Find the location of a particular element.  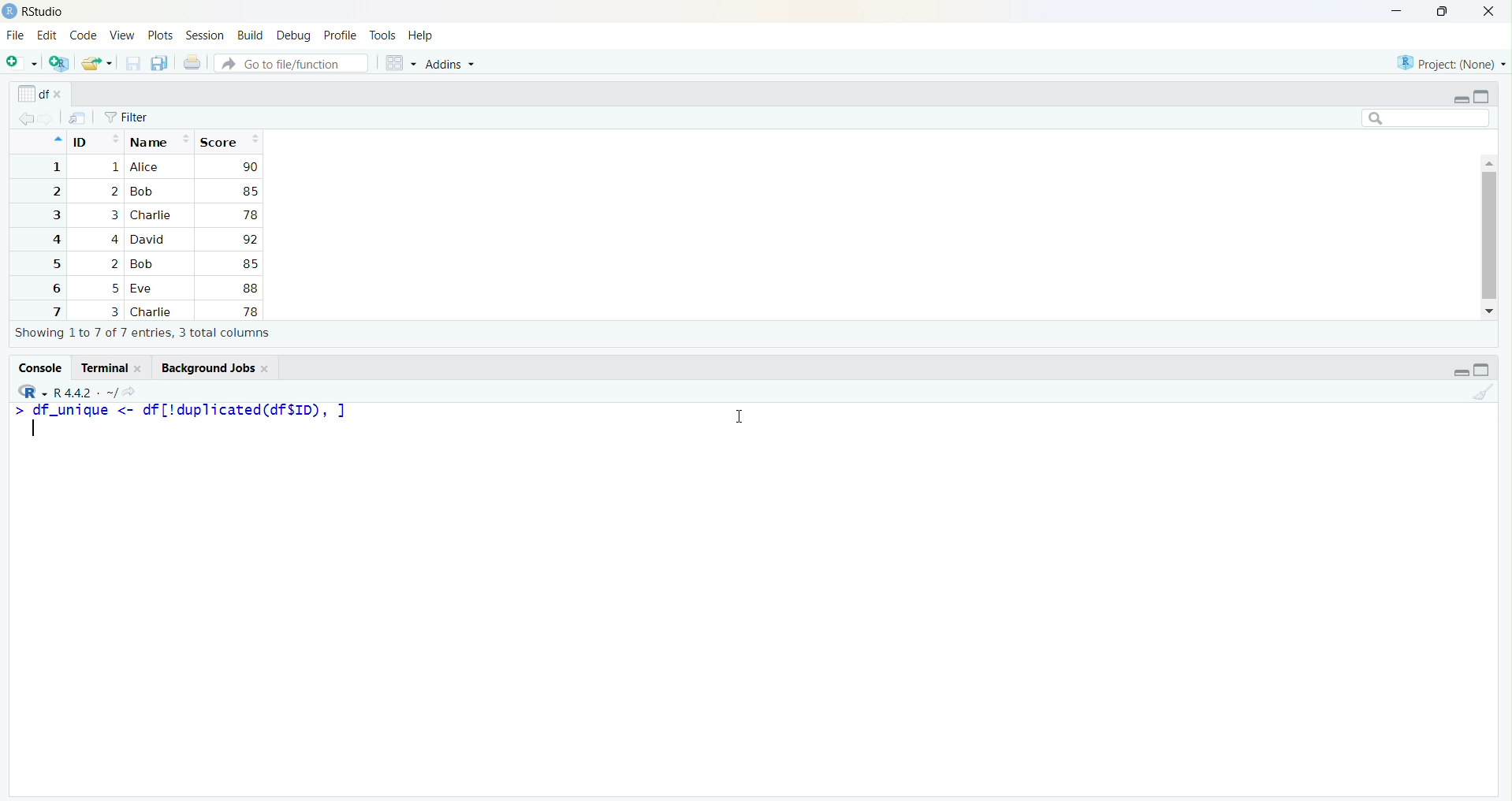

Tools is located at coordinates (383, 36).